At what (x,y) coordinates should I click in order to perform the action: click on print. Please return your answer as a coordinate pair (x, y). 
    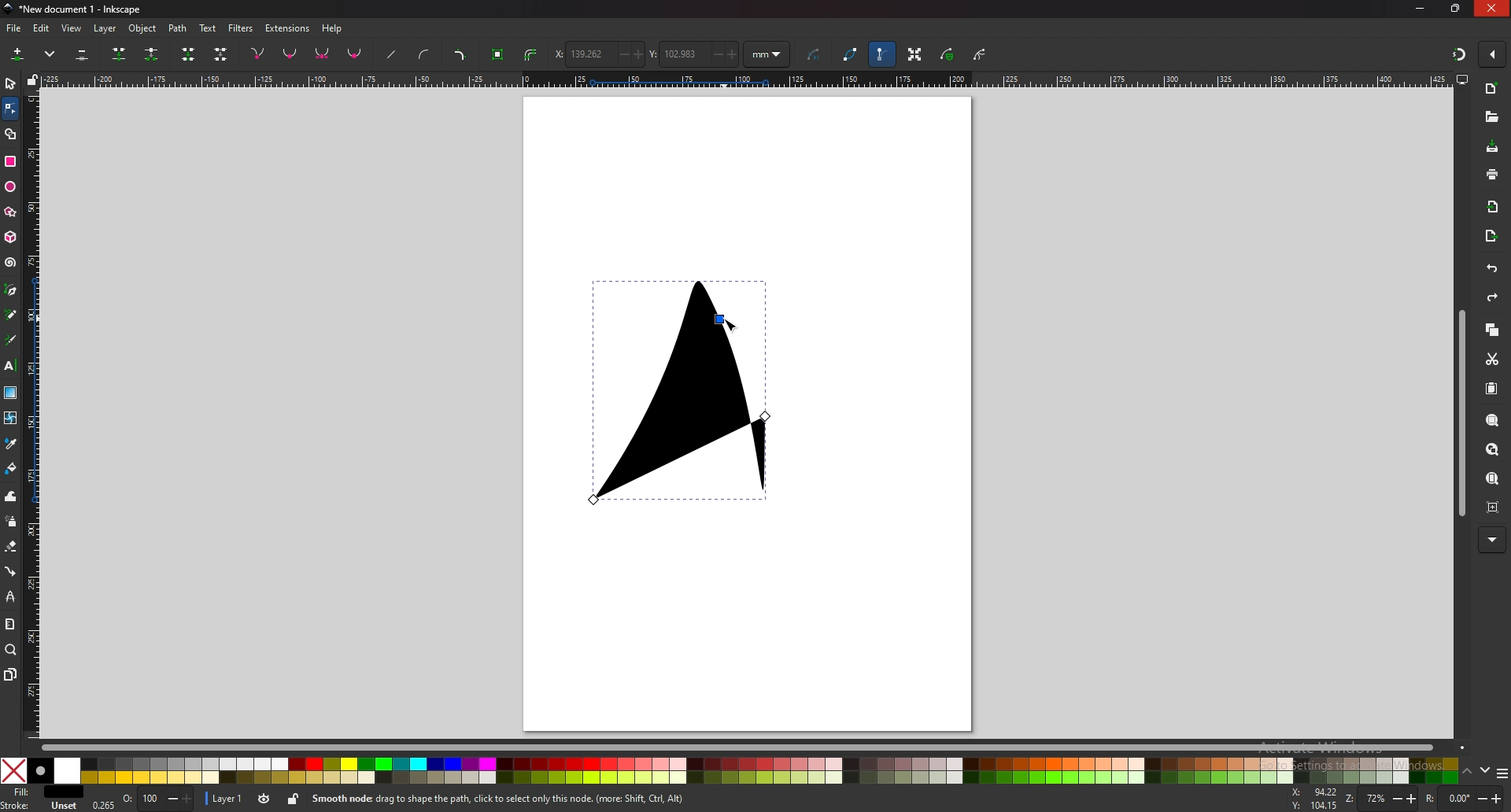
    Looking at the image, I should click on (1491, 174).